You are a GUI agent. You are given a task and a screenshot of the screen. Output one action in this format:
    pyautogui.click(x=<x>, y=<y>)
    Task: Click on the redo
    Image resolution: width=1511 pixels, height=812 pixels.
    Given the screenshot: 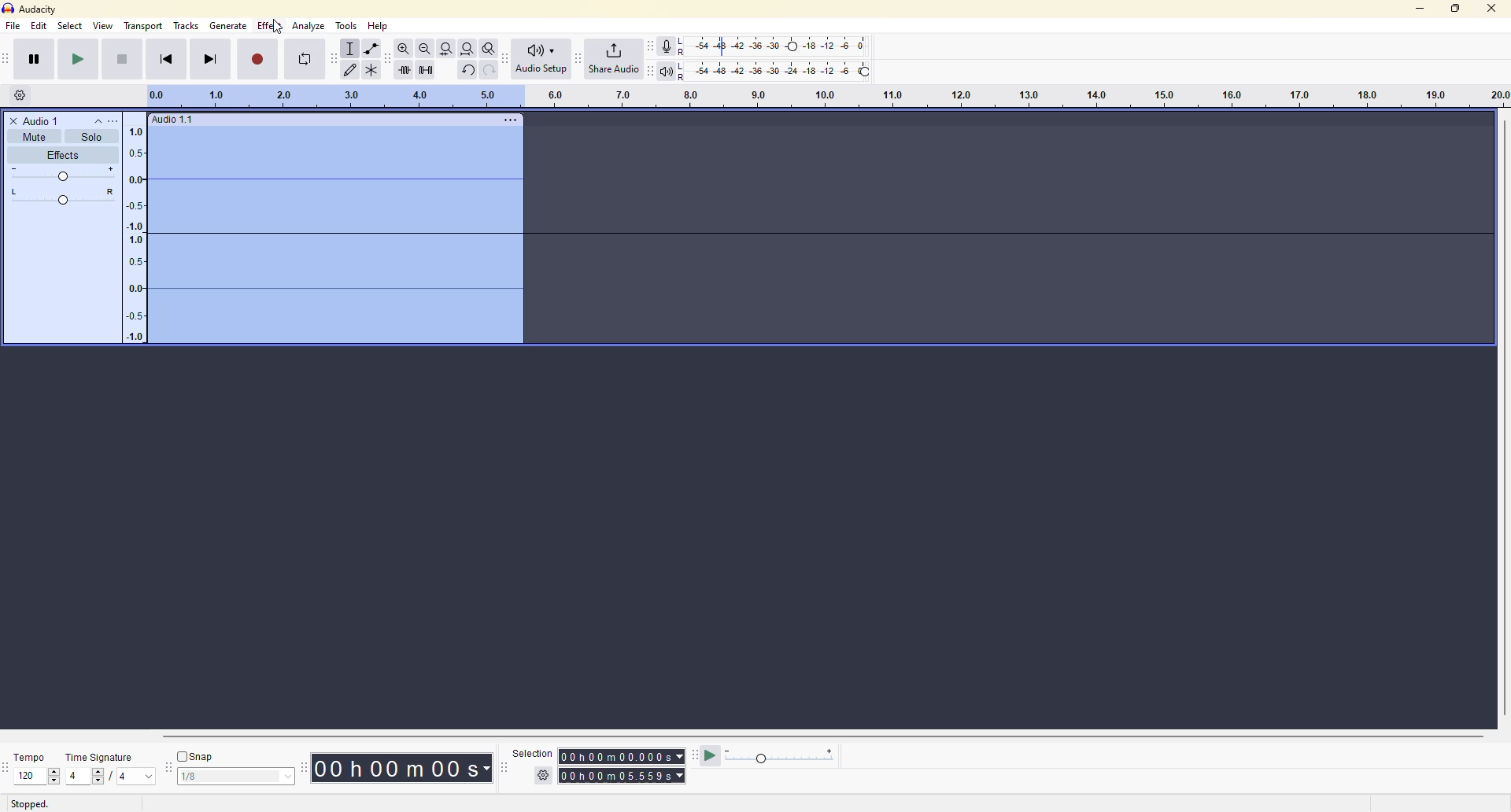 What is the action you would take?
    pyautogui.click(x=489, y=70)
    